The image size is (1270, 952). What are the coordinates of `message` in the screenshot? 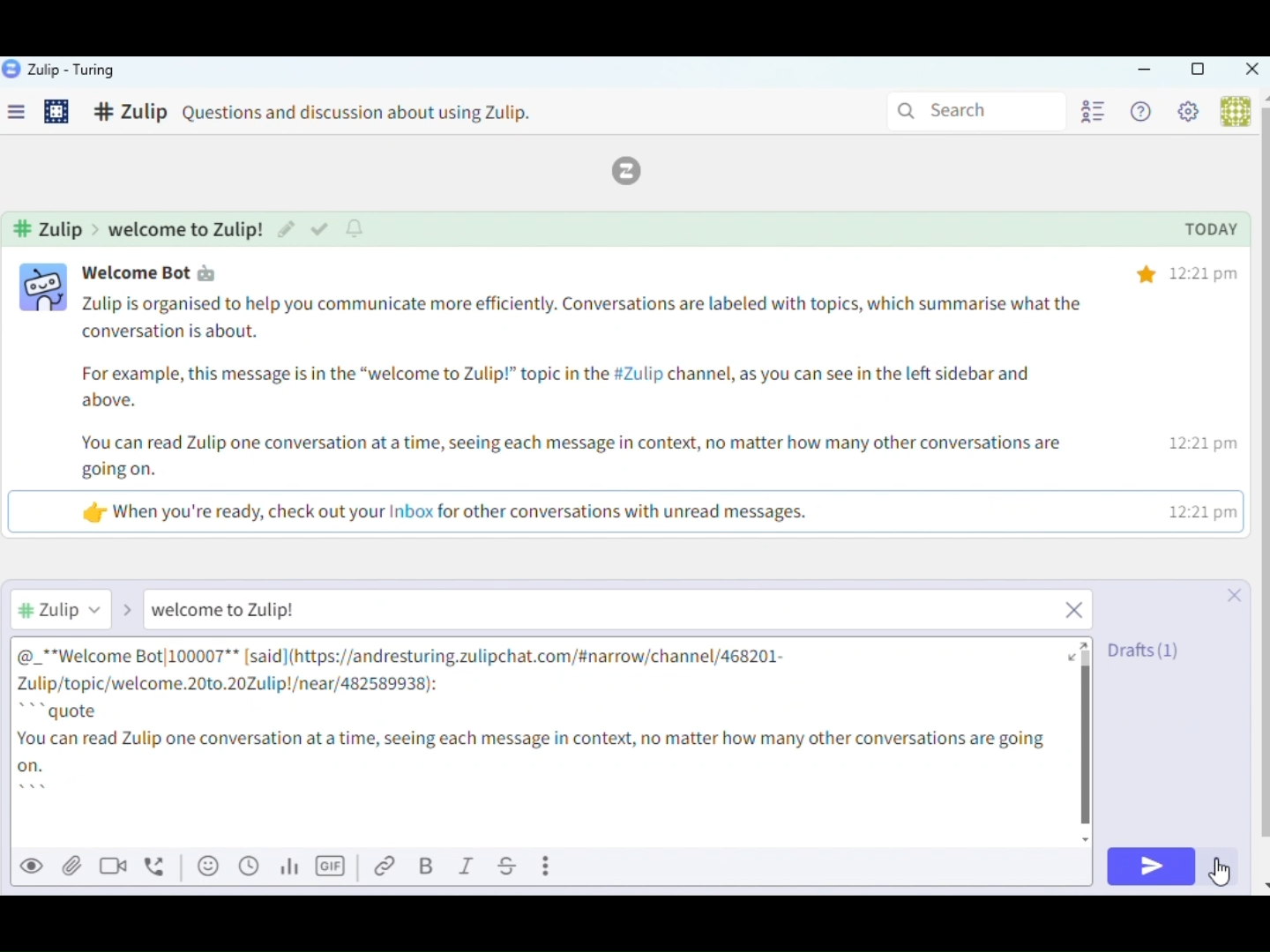 It's located at (587, 413).